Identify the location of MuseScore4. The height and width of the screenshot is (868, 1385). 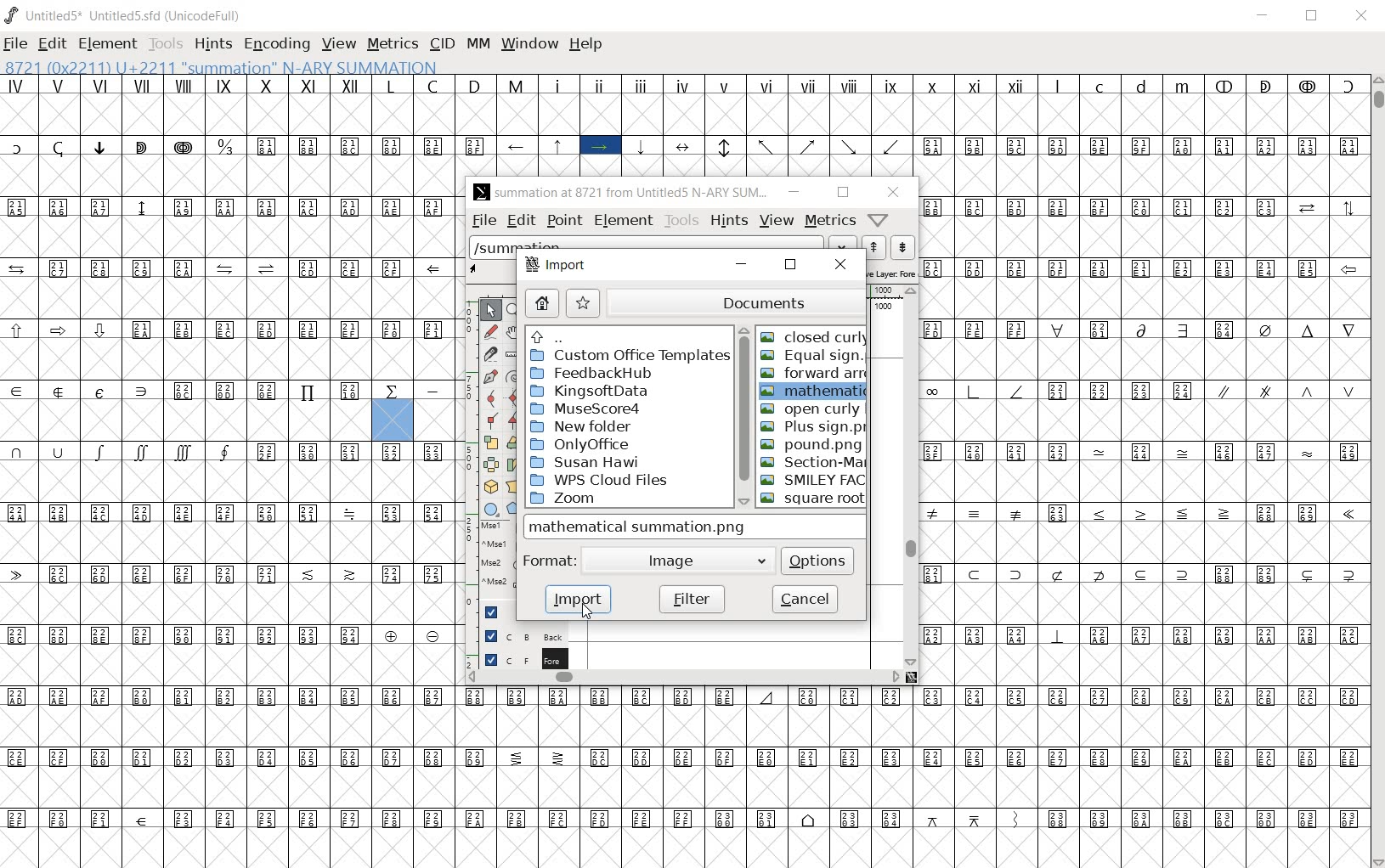
(585, 409).